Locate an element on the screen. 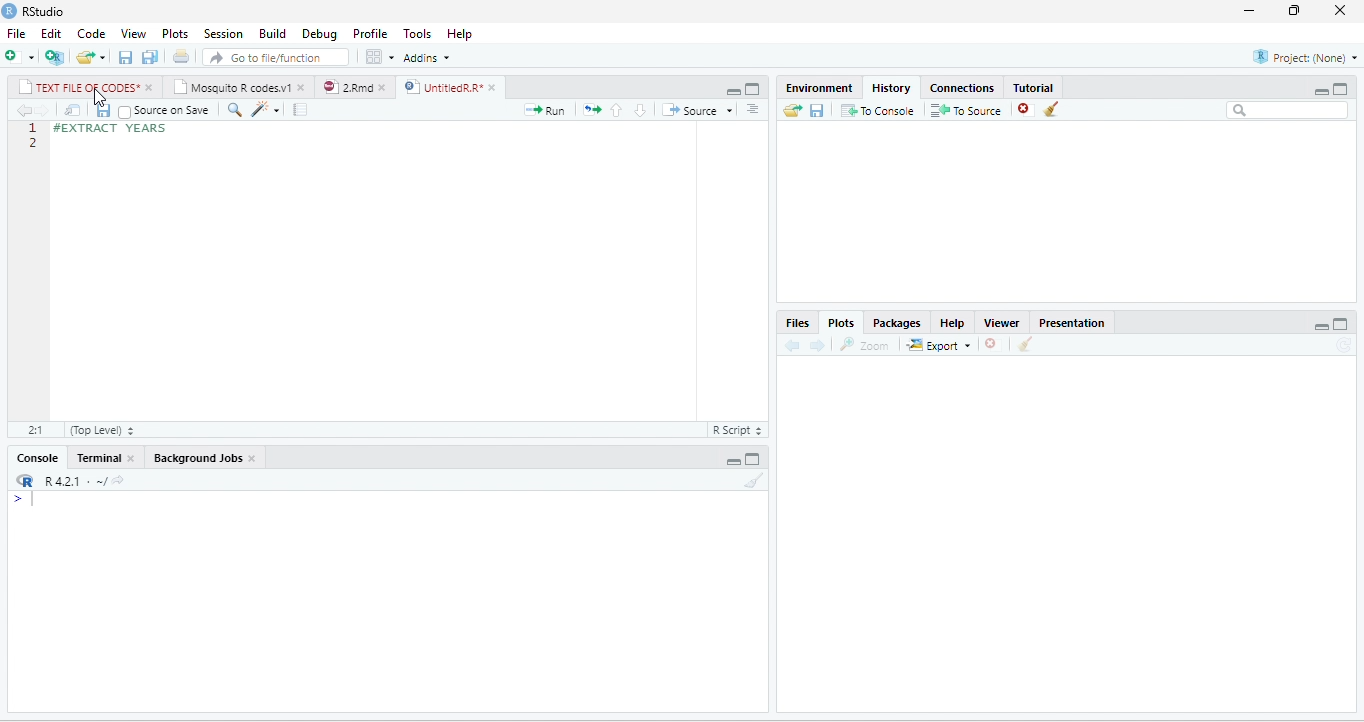 Image resolution: width=1364 pixels, height=722 pixels. back is located at coordinates (23, 110).